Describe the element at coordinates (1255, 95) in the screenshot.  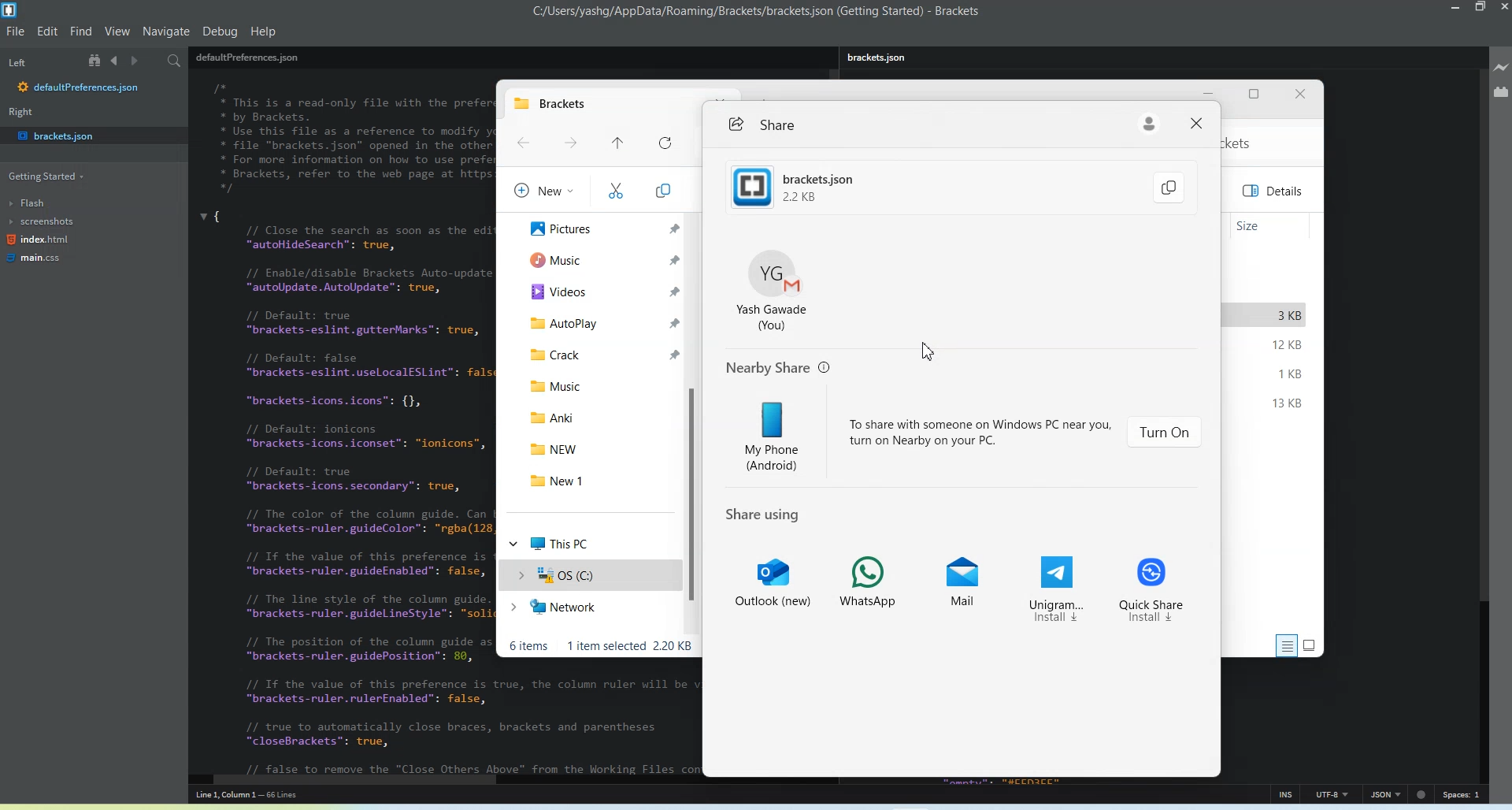
I see `Maximize` at that location.